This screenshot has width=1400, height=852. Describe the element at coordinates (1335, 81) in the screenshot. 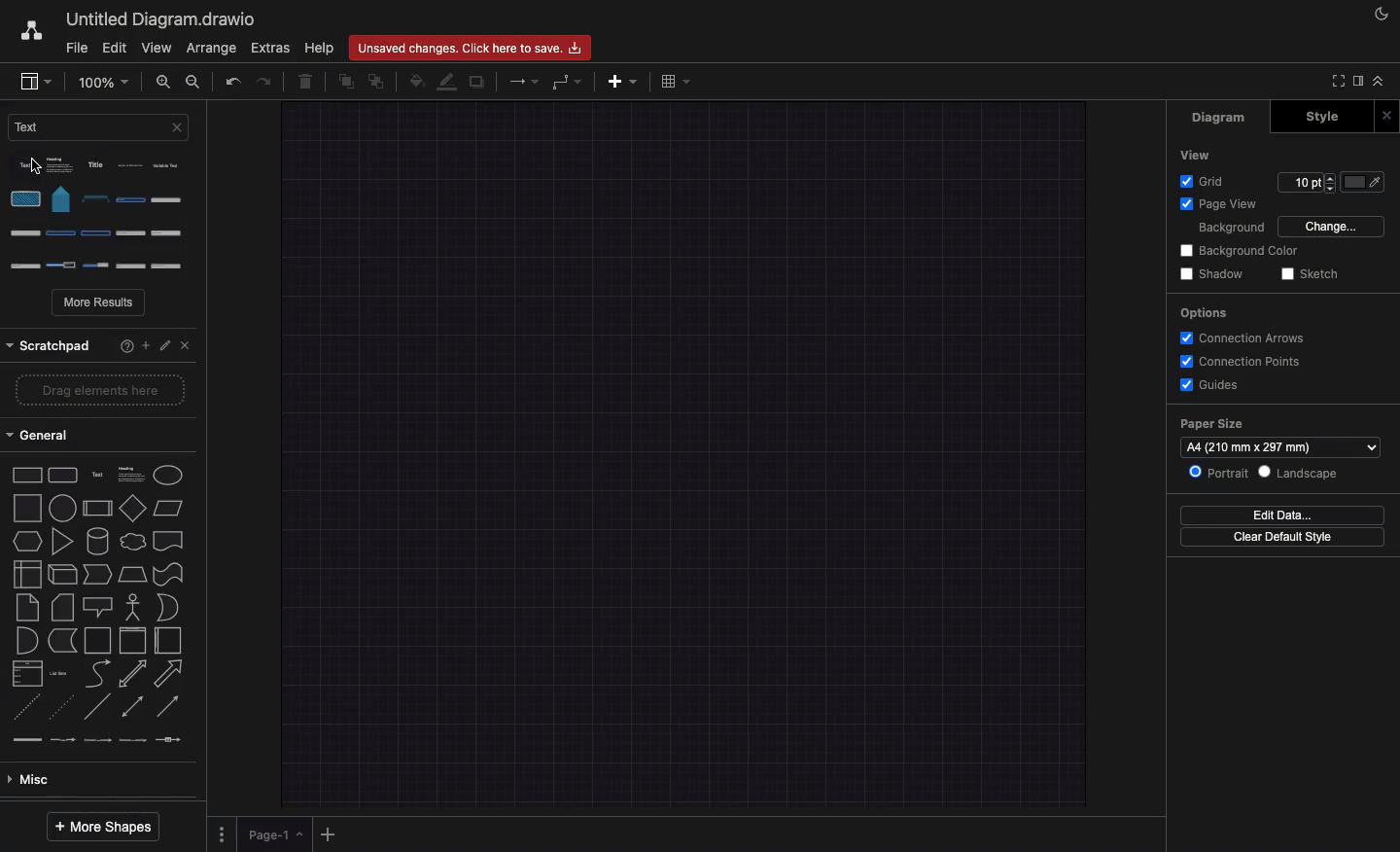

I see `Full screen` at that location.